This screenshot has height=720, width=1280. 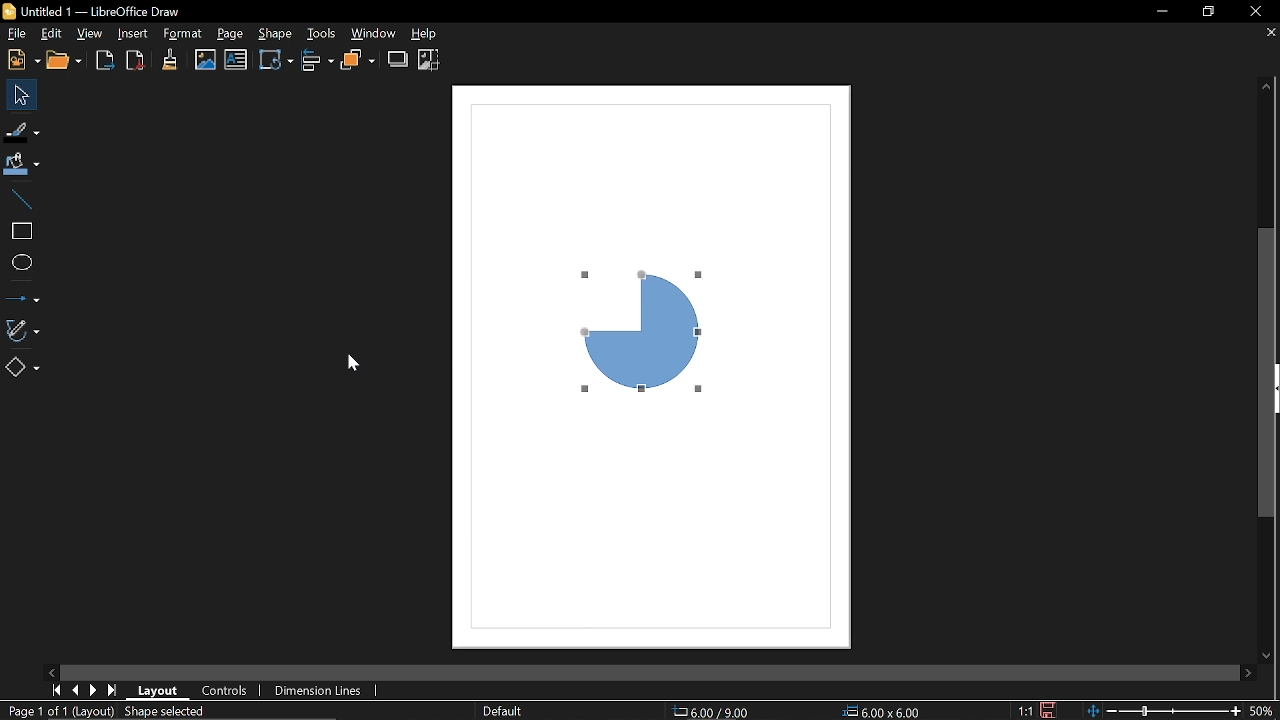 I want to click on Save, so click(x=1052, y=711).